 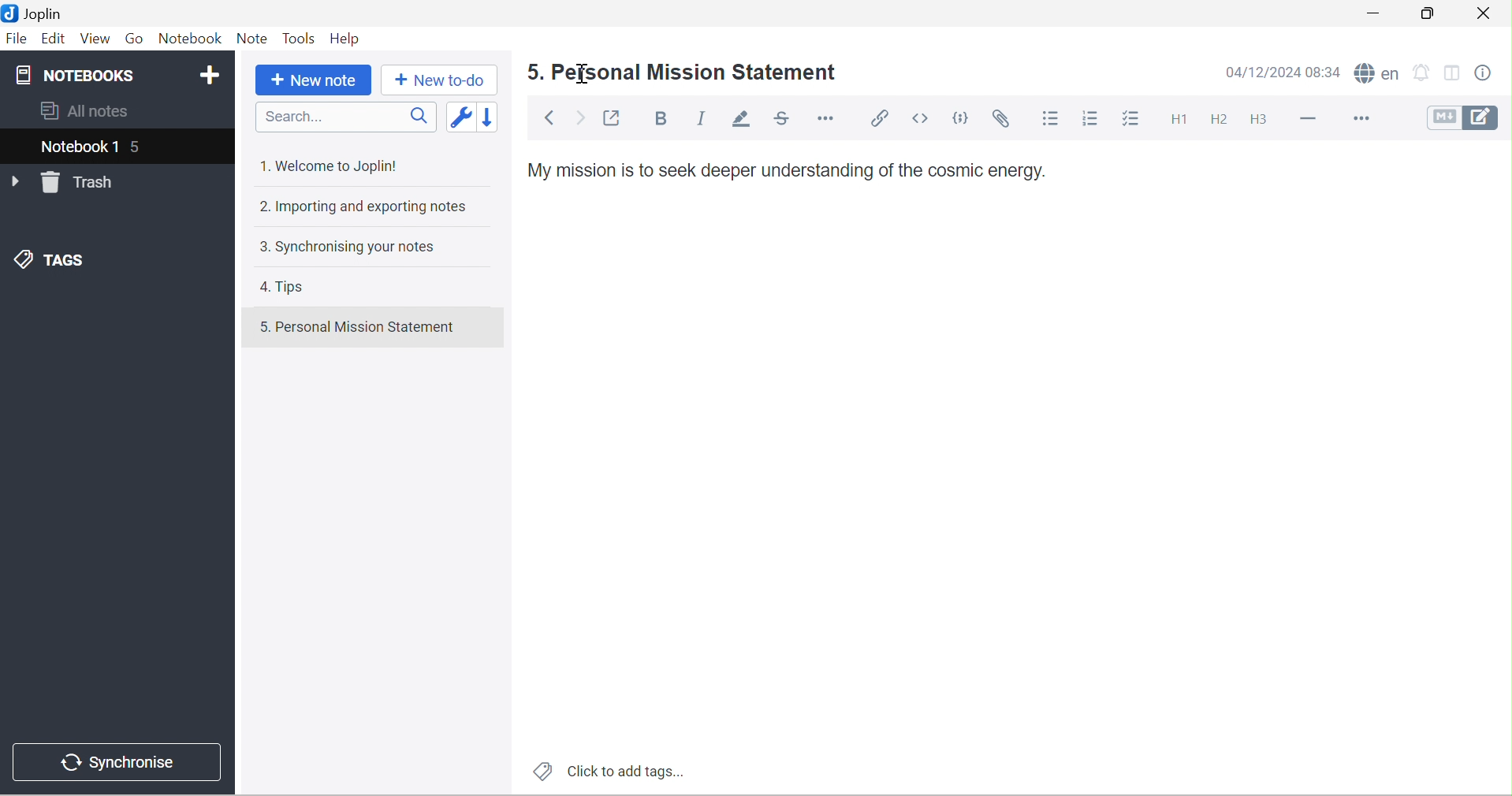 What do you see at coordinates (1005, 120) in the screenshot?
I see `Attach file` at bounding box center [1005, 120].